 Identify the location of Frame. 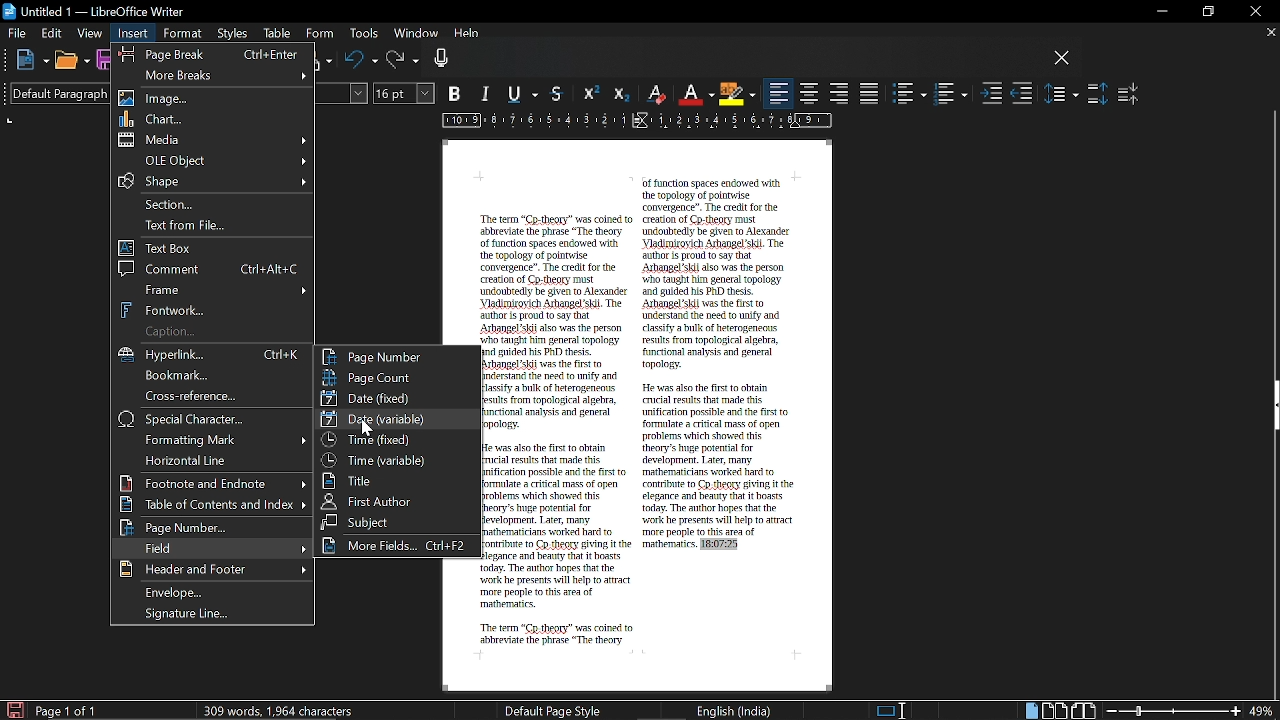
(215, 289).